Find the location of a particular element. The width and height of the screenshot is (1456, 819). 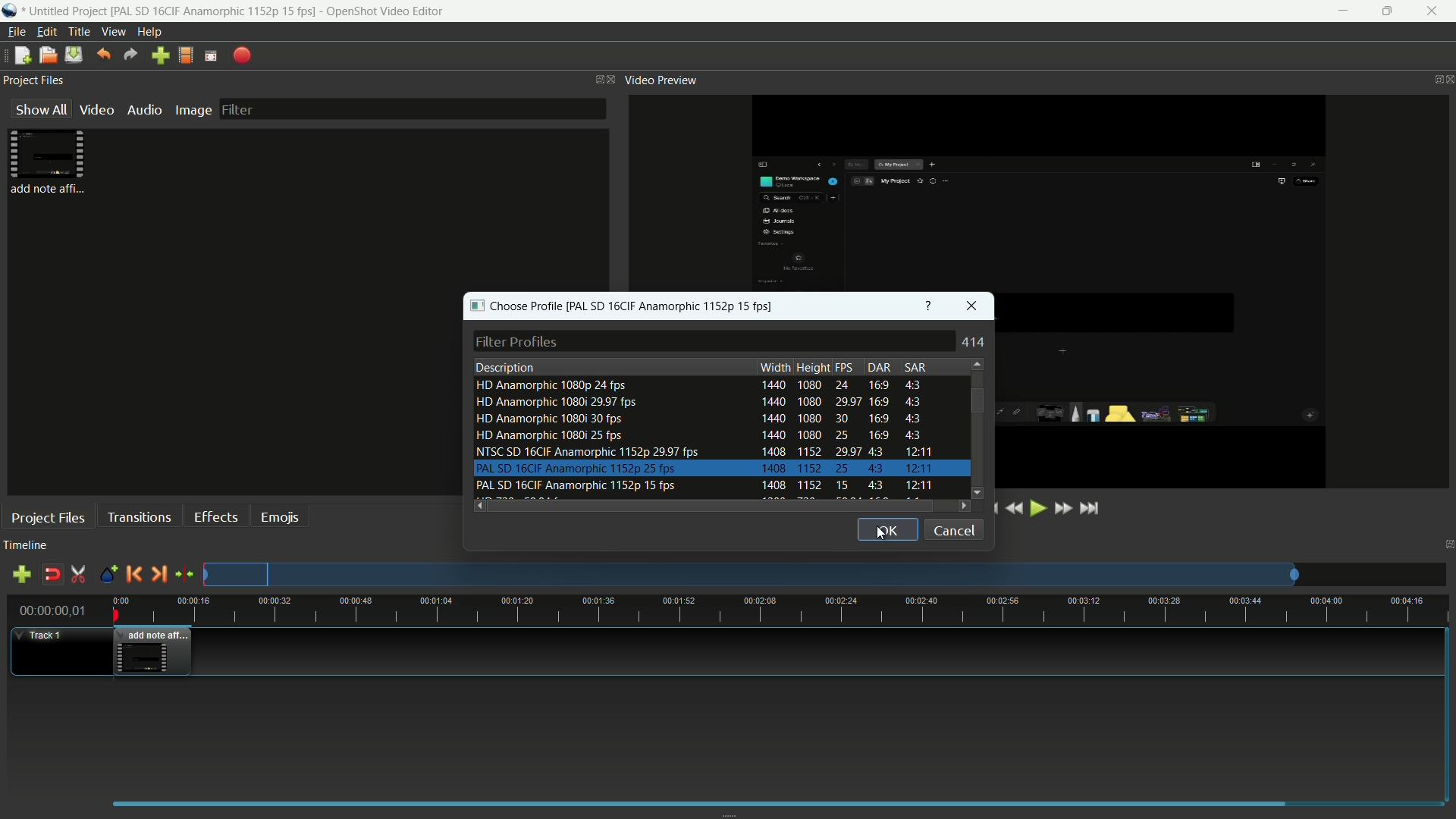

height is located at coordinates (813, 367).